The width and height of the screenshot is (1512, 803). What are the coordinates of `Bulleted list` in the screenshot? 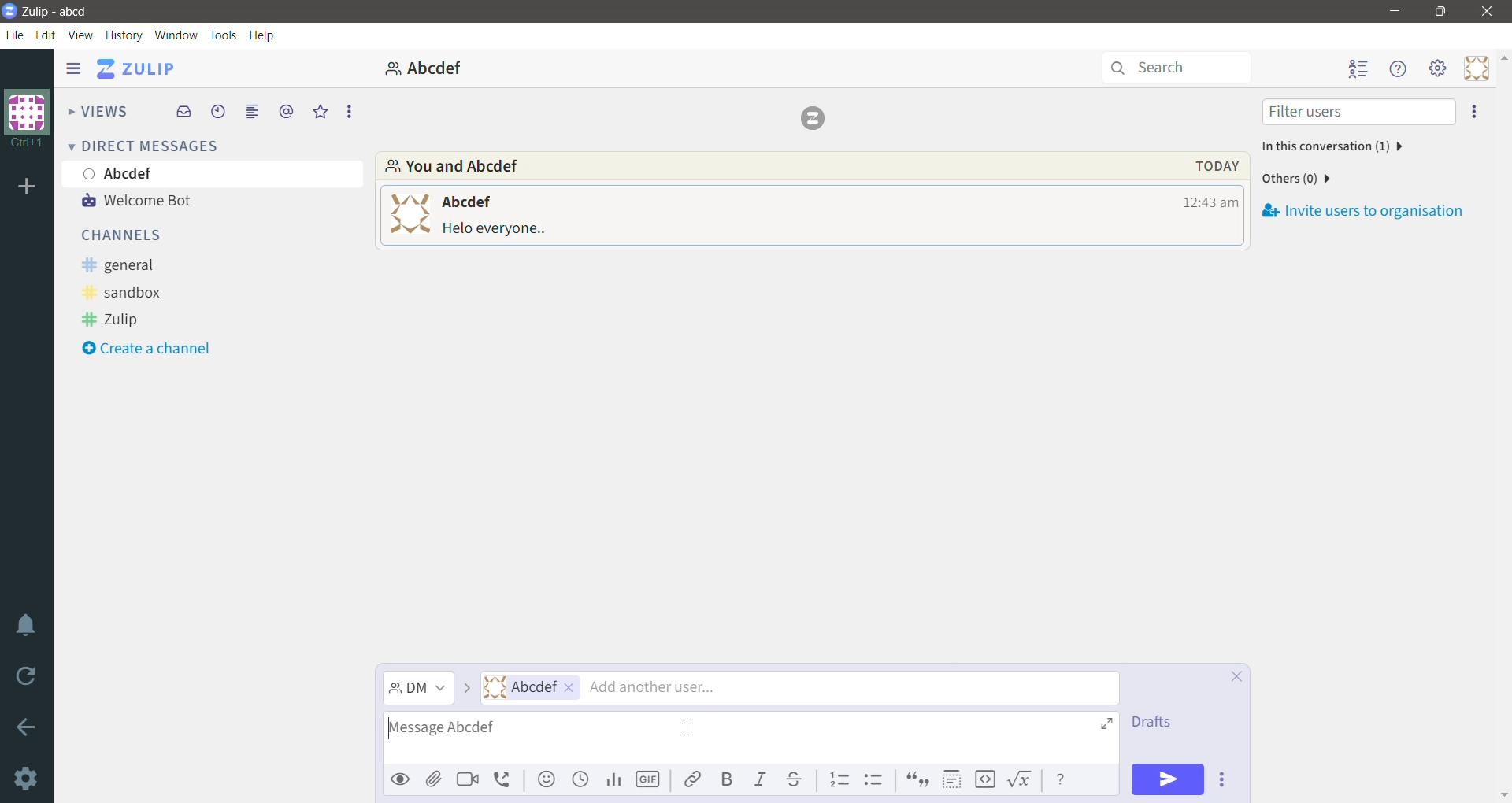 It's located at (873, 779).